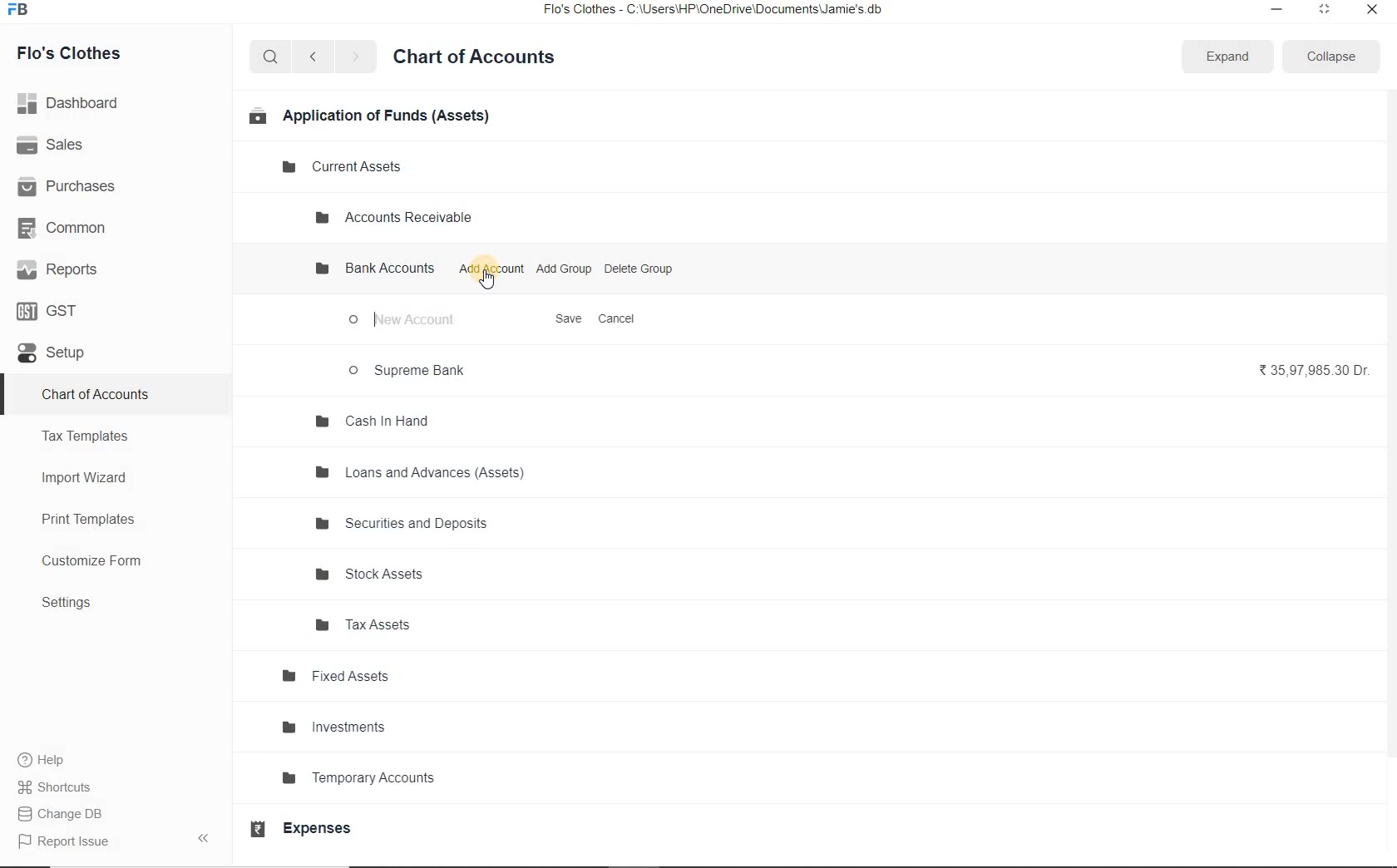 The width and height of the screenshot is (1397, 868). Describe the element at coordinates (410, 323) in the screenshot. I see `New Account` at that location.